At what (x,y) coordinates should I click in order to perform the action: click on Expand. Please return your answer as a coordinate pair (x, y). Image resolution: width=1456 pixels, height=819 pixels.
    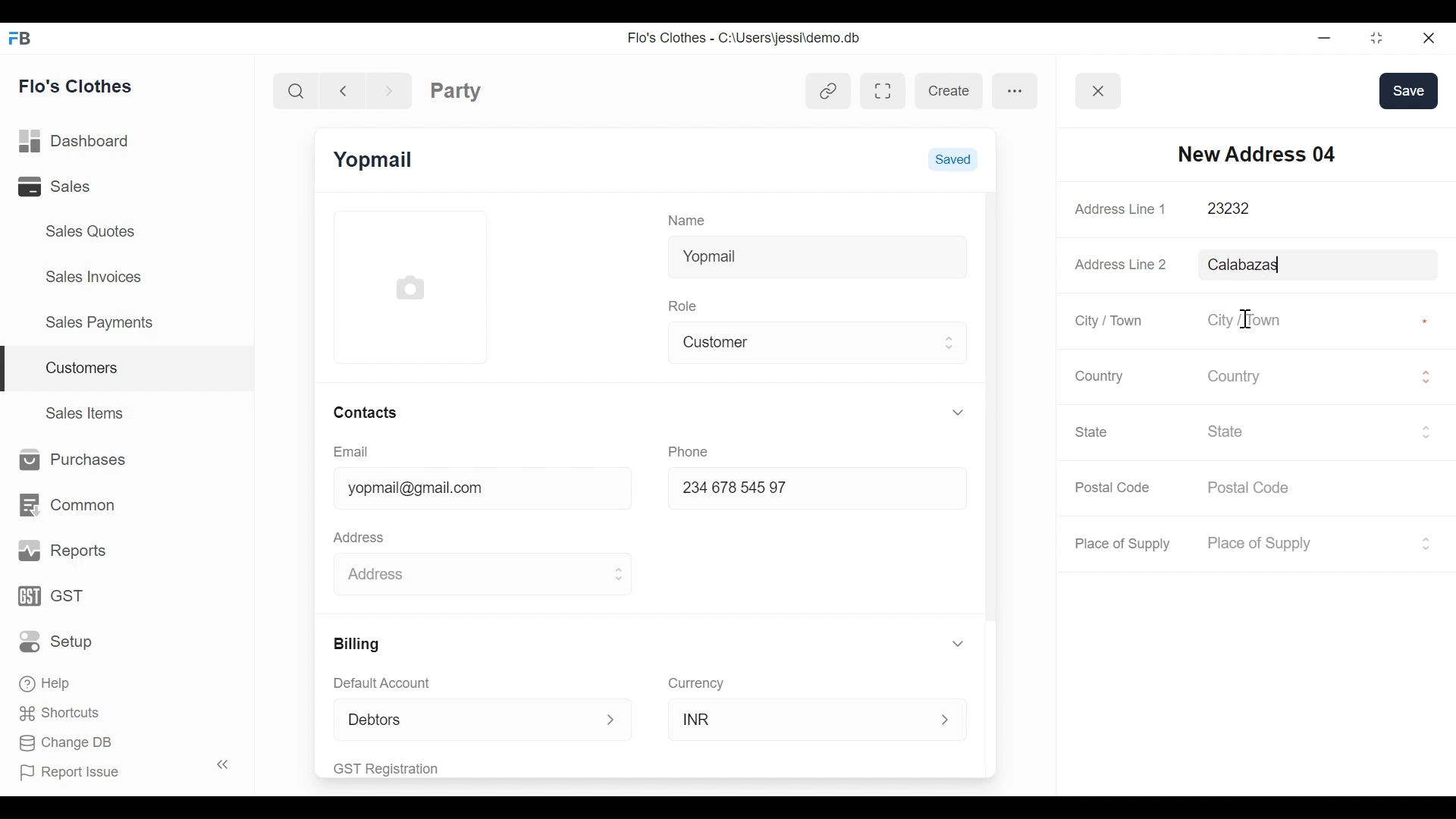
    Looking at the image, I should click on (951, 342).